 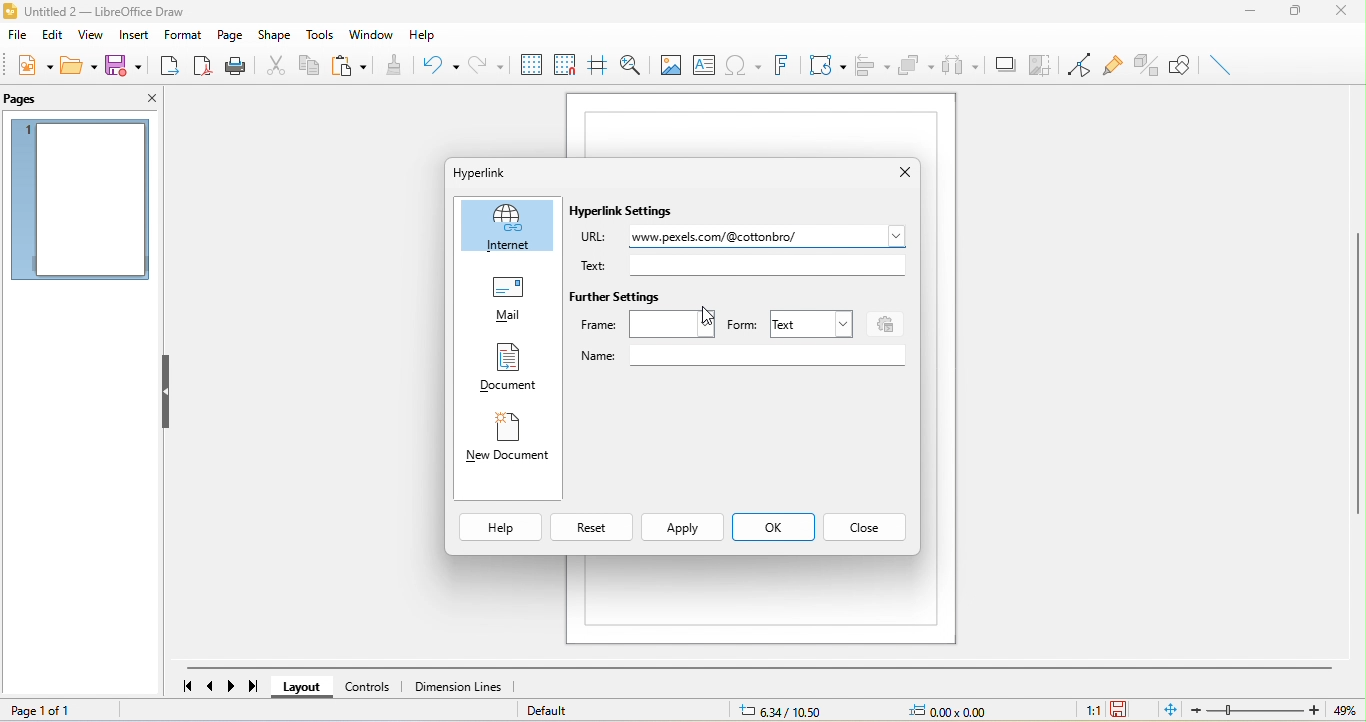 I want to click on tools, so click(x=319, y=35).